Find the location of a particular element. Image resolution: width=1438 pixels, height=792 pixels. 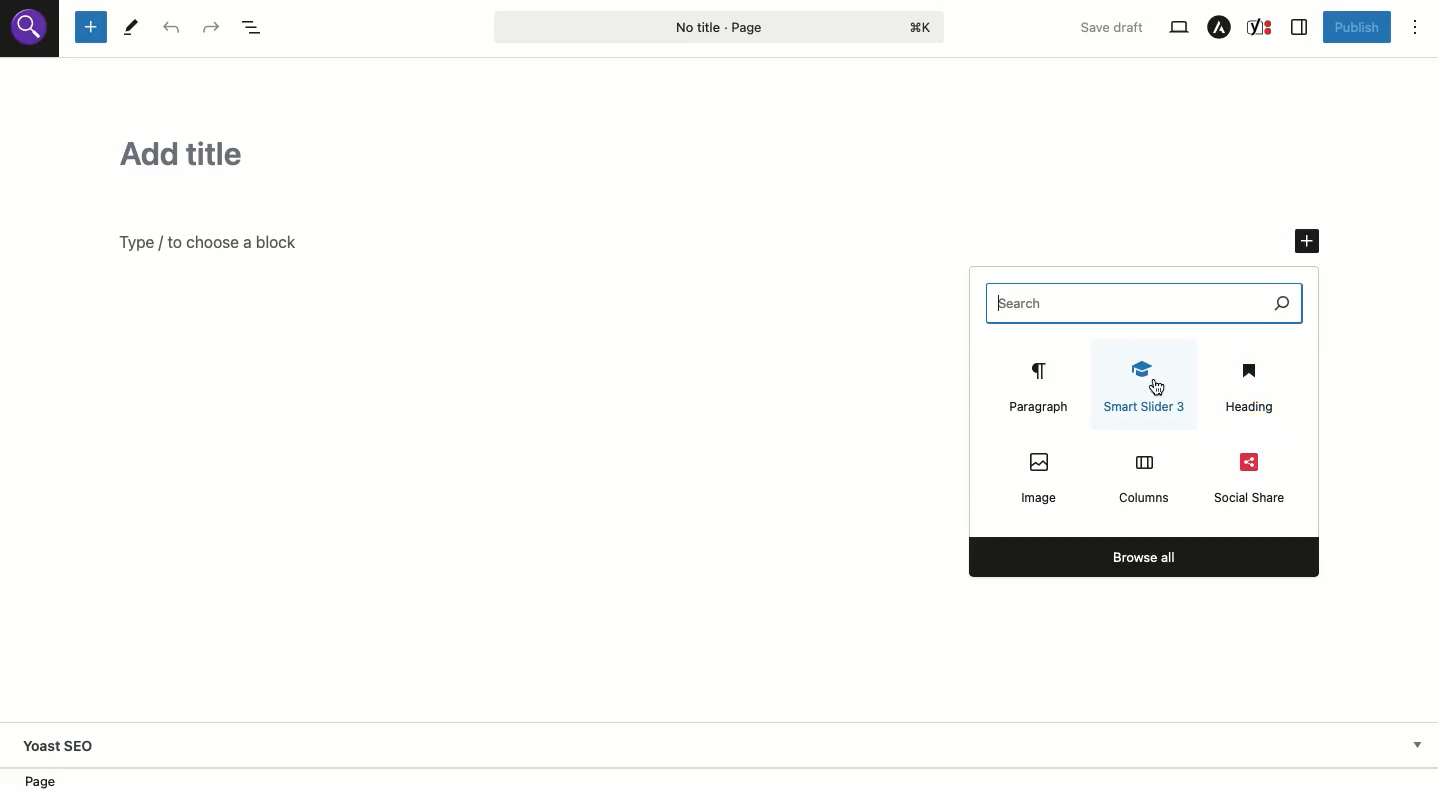

View is located at coordinates (1178, 28).